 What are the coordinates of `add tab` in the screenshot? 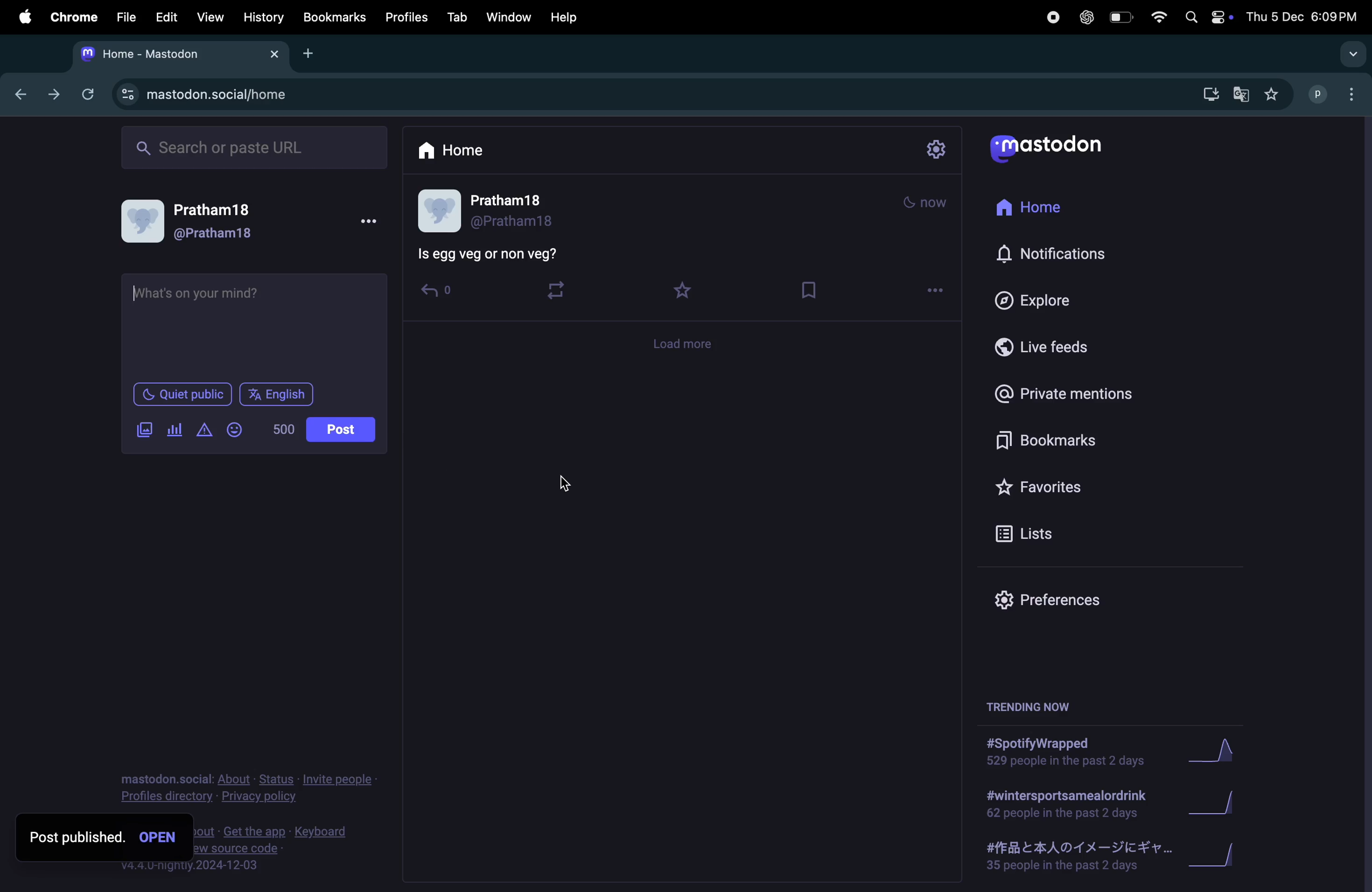 It's located at (313, 52).